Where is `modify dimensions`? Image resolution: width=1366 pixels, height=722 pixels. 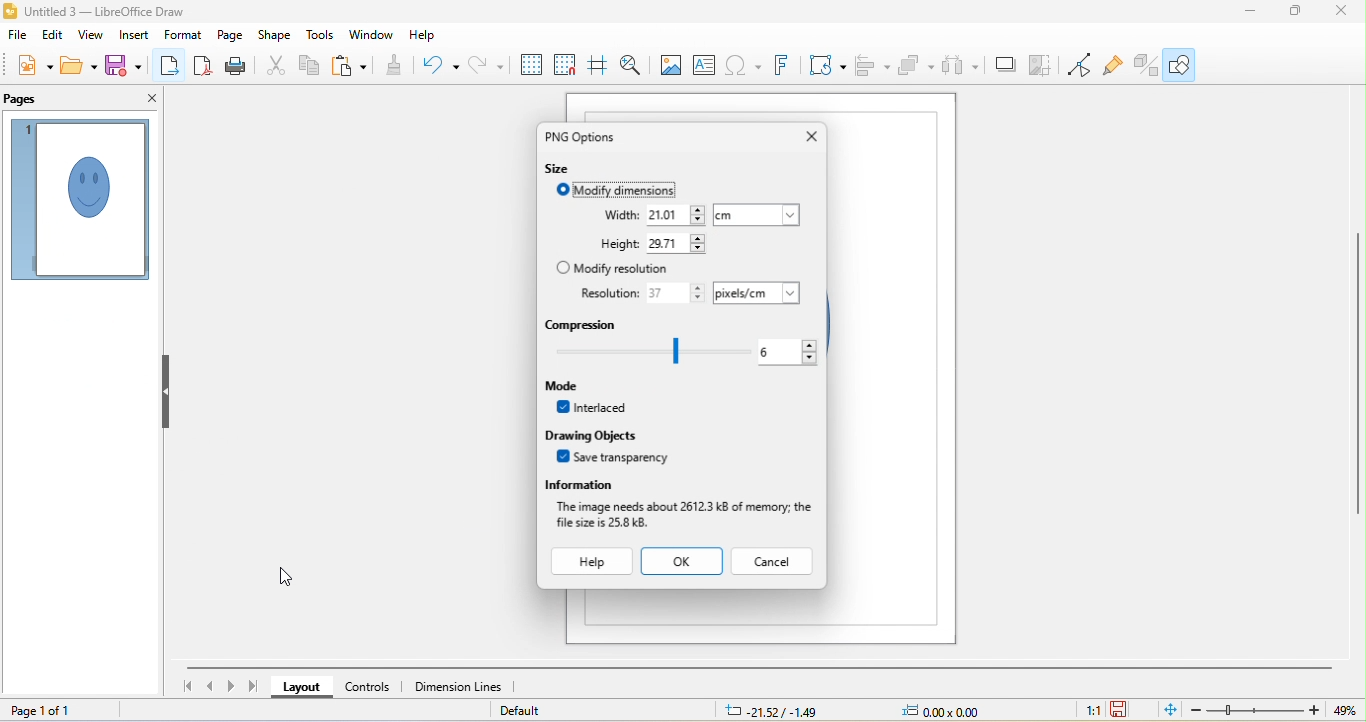 modify dimensions is located at coordinates (617, 190).